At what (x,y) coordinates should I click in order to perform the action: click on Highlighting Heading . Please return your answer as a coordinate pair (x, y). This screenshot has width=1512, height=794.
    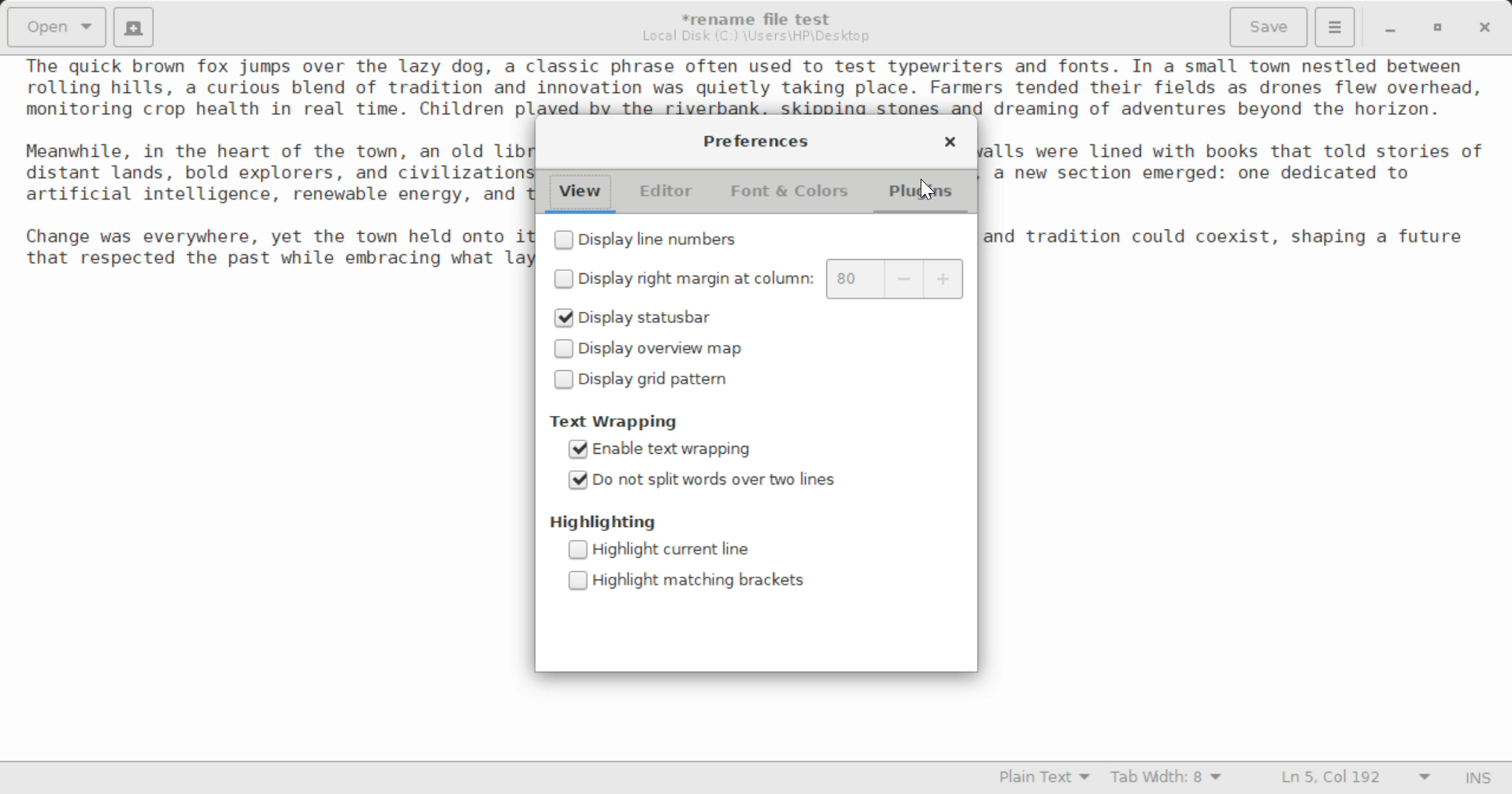
    Looking at the image, I should click on (604, 521).